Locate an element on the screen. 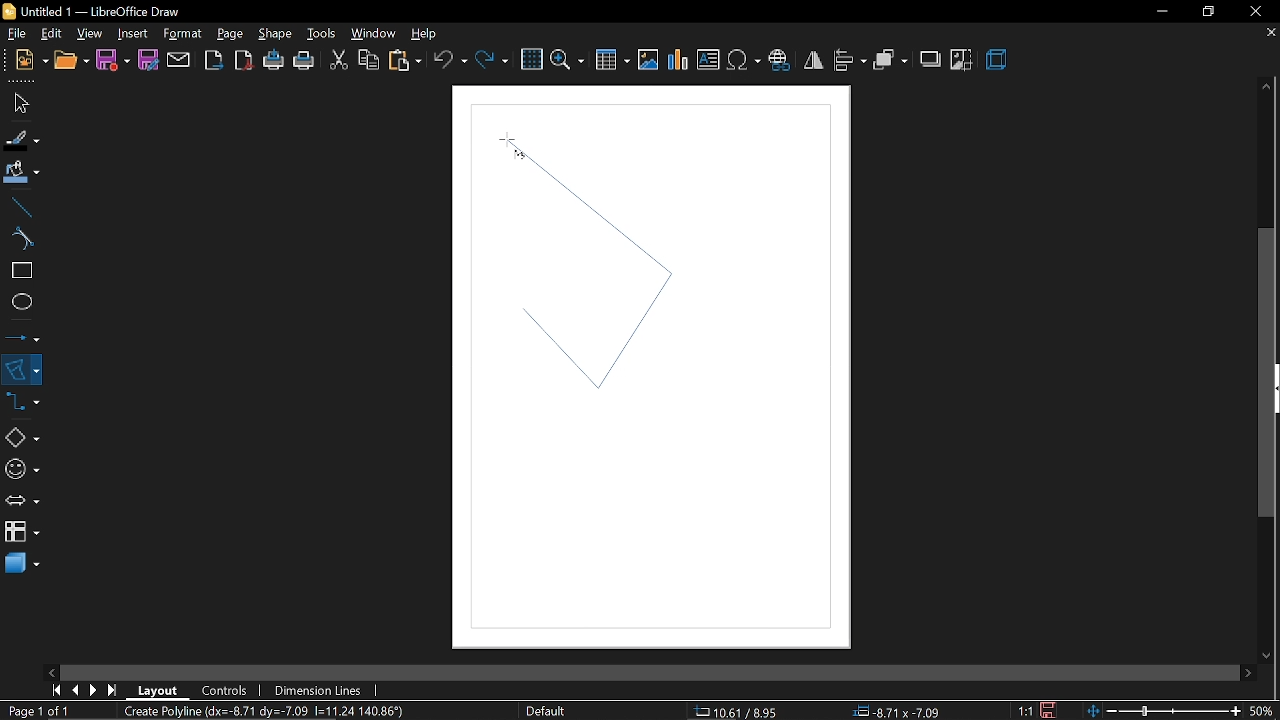 Image resolution: width=1280 pixels, height=720 pixels. controls is located at coordinates (228, 689).